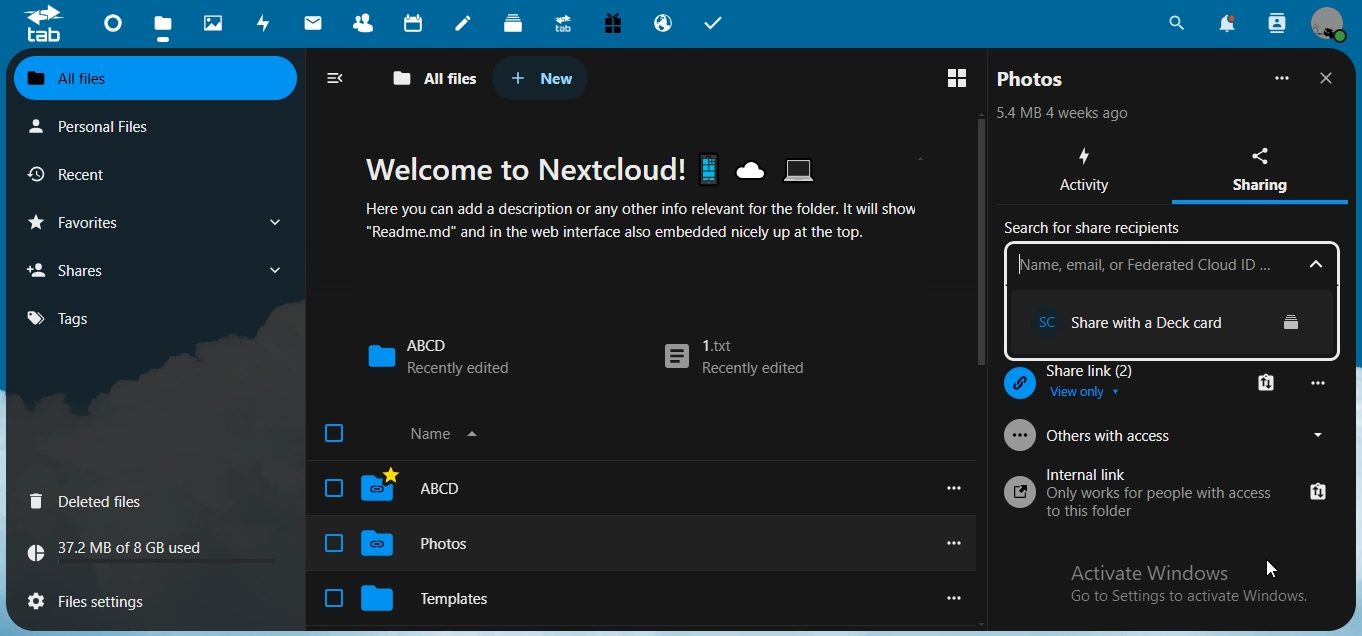  Describe the element at coordinates (411, 598) in the screenshot. I see `Templates` at that location.